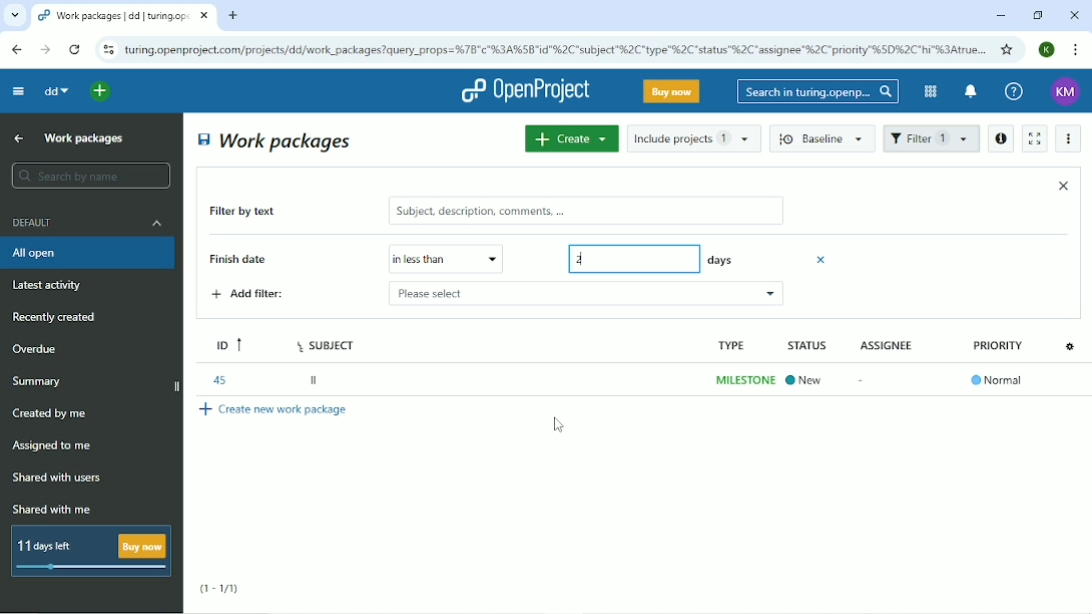 The image size is (1092, 614). What do you see at coordinates (74, 49) in the screenshot?
I see `Reload this page` at bounding box center [74, 49].